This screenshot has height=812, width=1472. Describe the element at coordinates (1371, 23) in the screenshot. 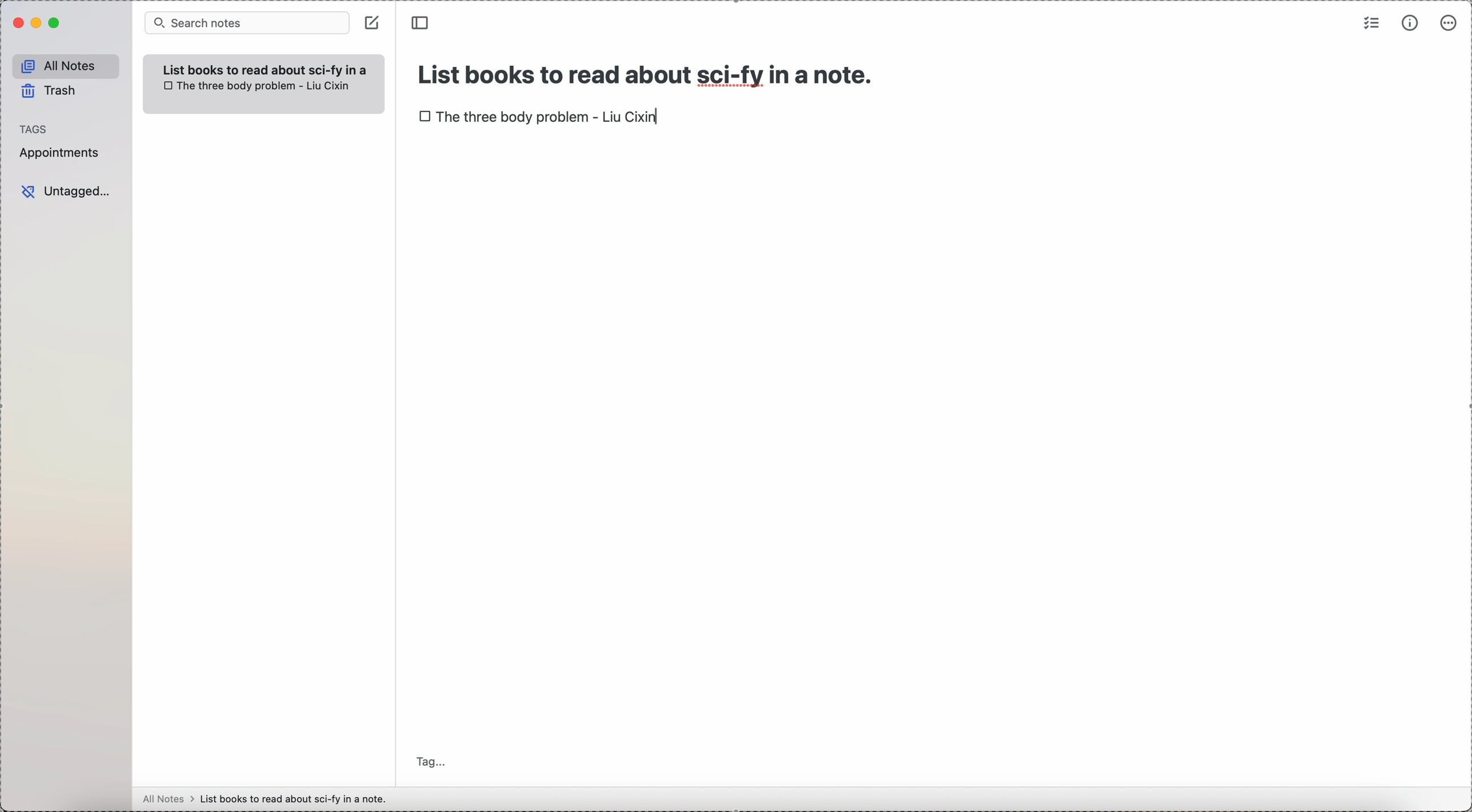

I see `check list` at that location.